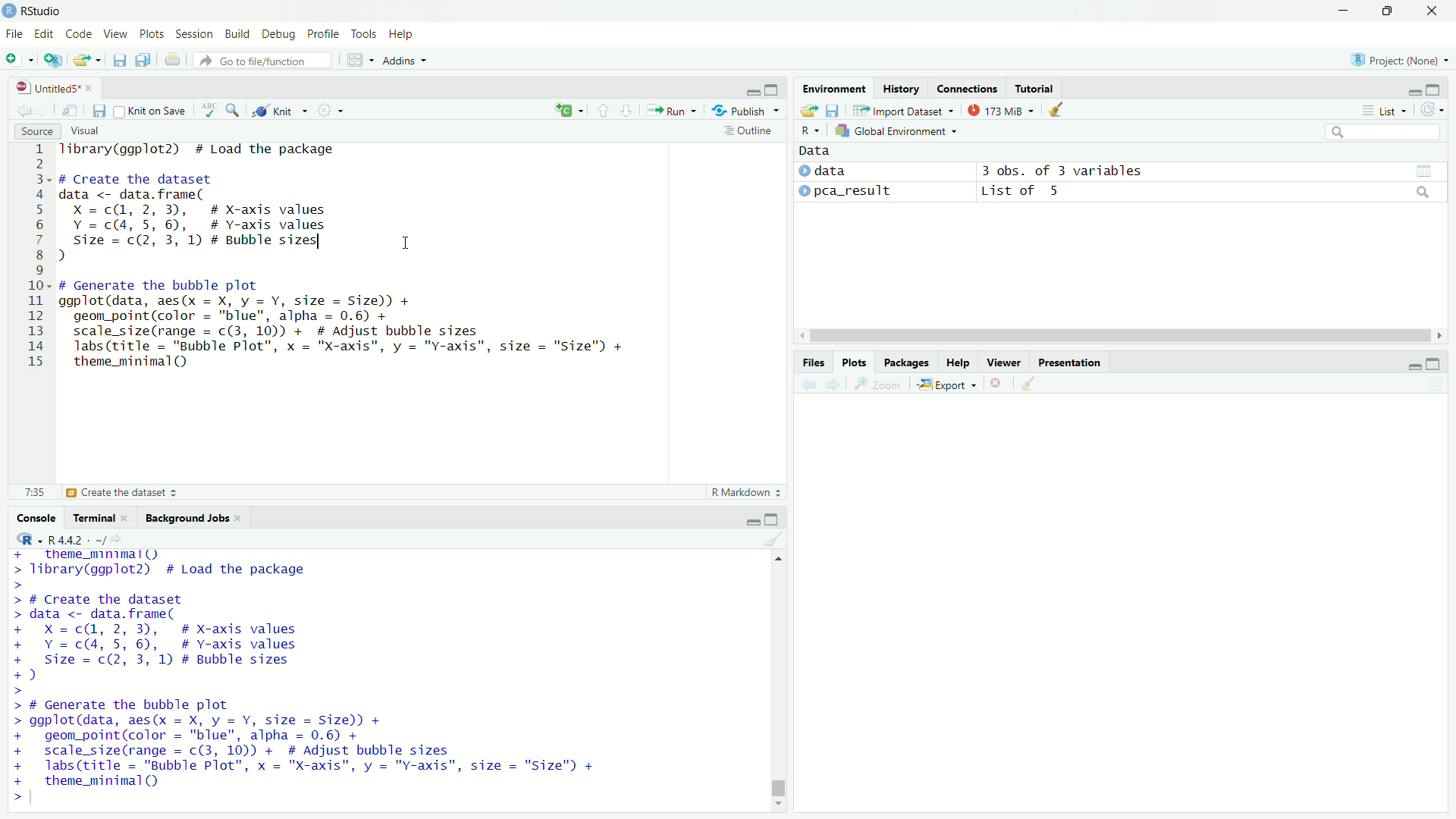 Image resolution: width=1456 pixels, height=819 pixels. Describe the element at coordinates (747, 492) in the screenshot. I see `R markdown` at that location.